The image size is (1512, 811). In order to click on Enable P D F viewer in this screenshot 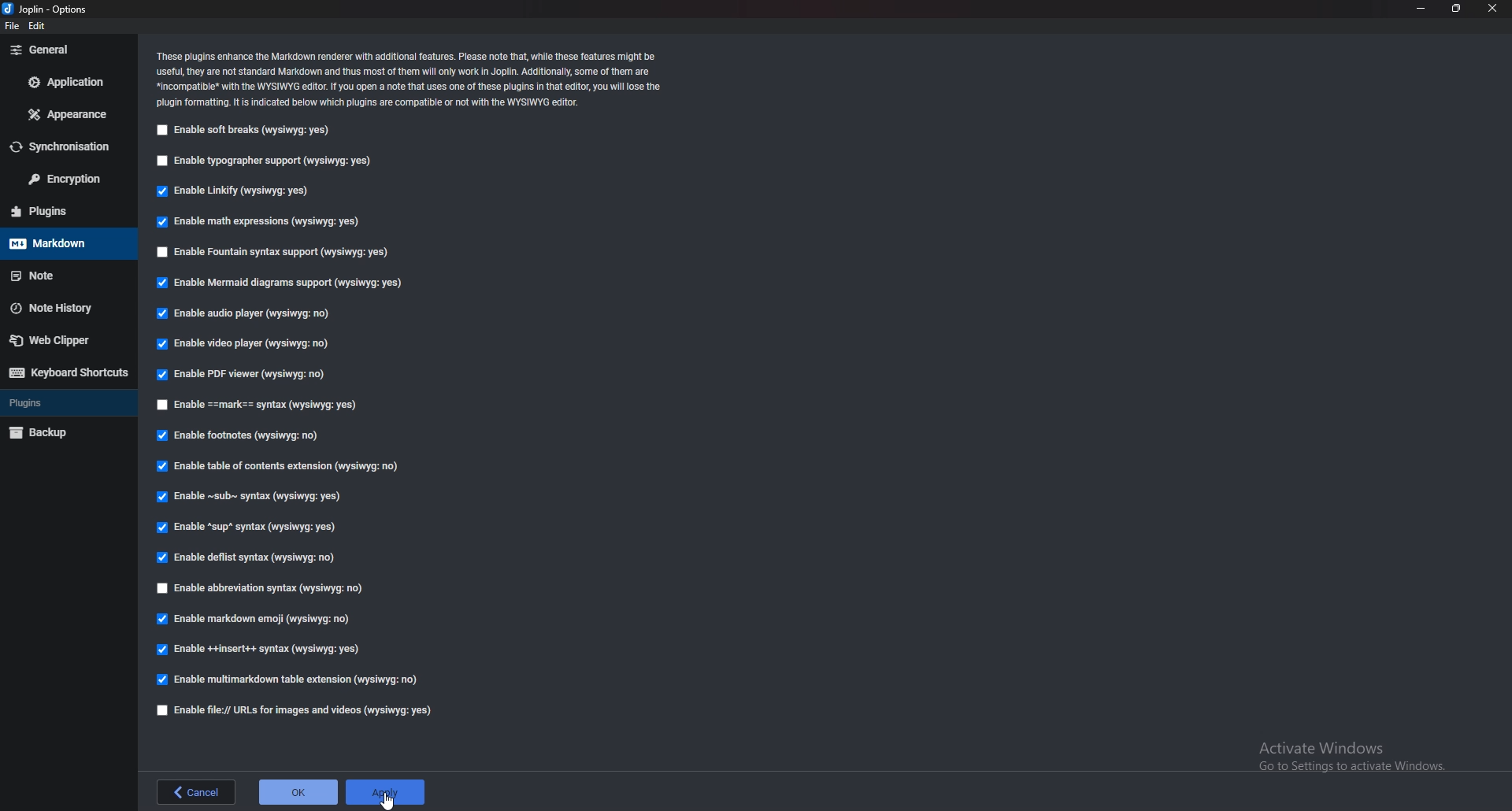, I will do `click(238, 376)`.